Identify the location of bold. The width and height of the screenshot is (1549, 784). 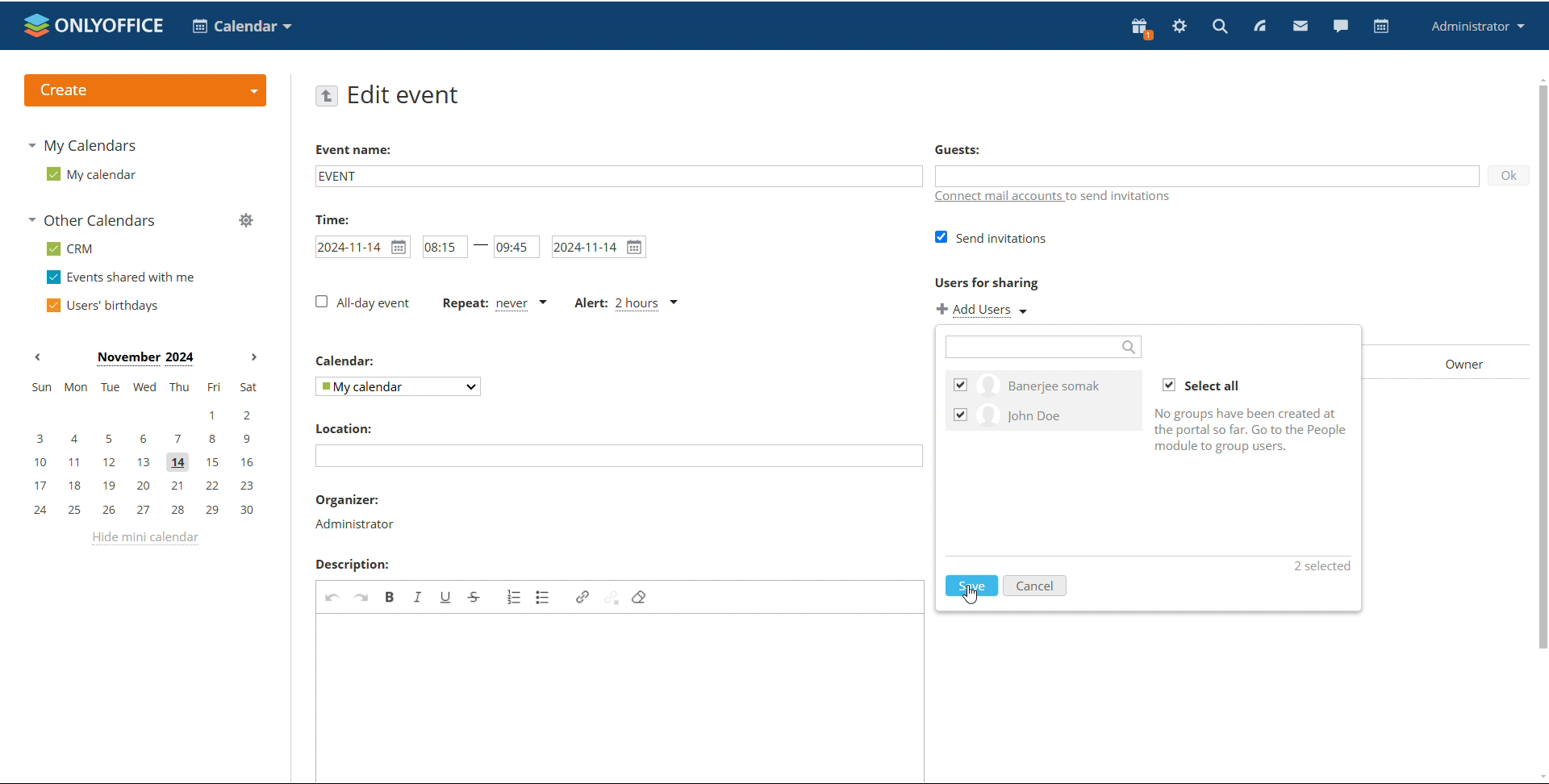
(390, 596).